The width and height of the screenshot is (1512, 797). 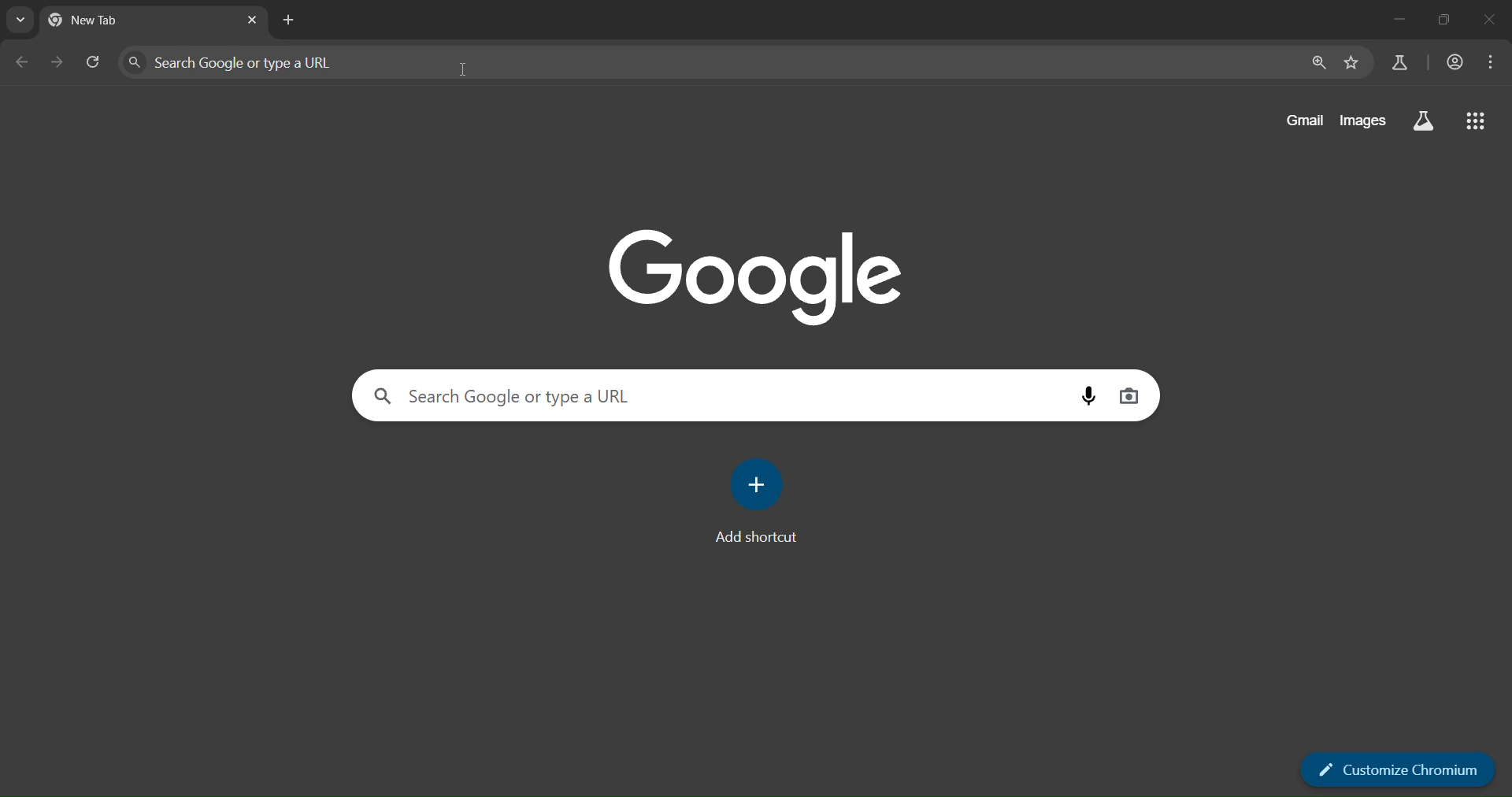 I want to click on search Google or type a URL, so click(x=718, y=395).